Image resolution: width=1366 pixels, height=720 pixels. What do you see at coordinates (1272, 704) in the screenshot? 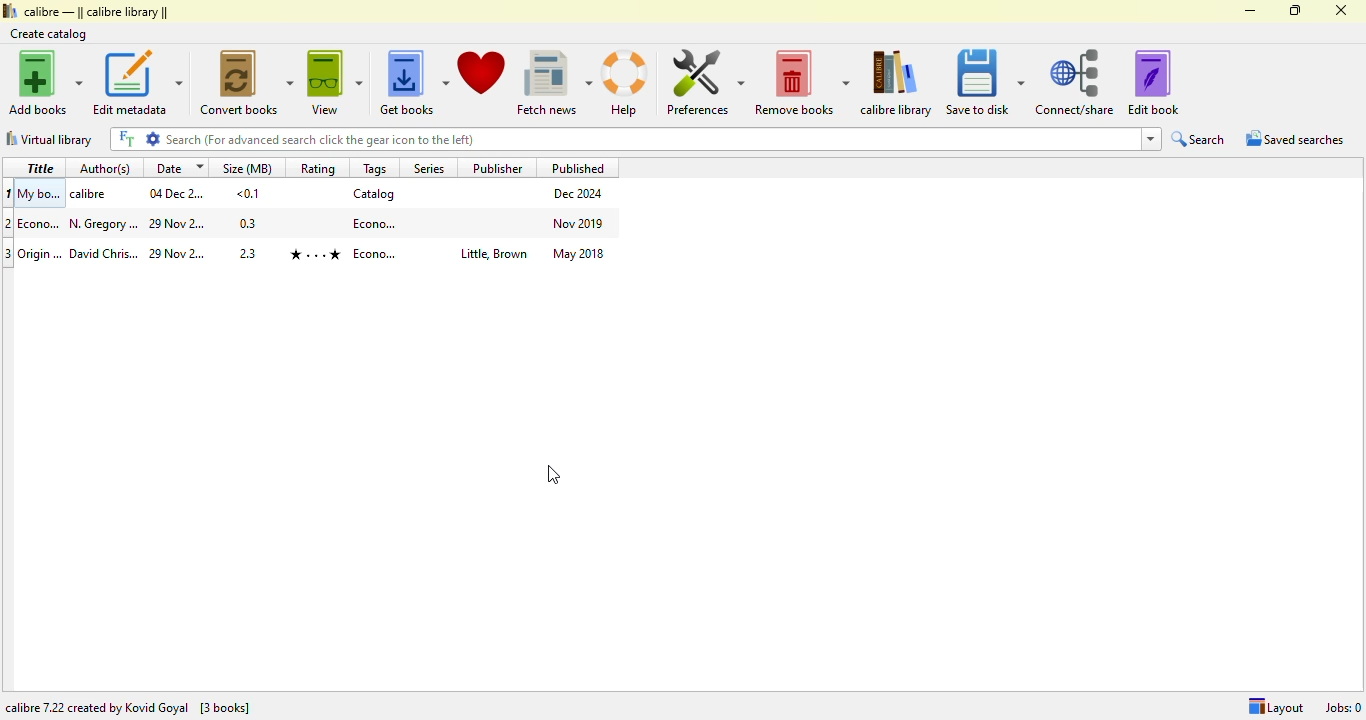
I see `Layout` at bounding box center [1272, 704].